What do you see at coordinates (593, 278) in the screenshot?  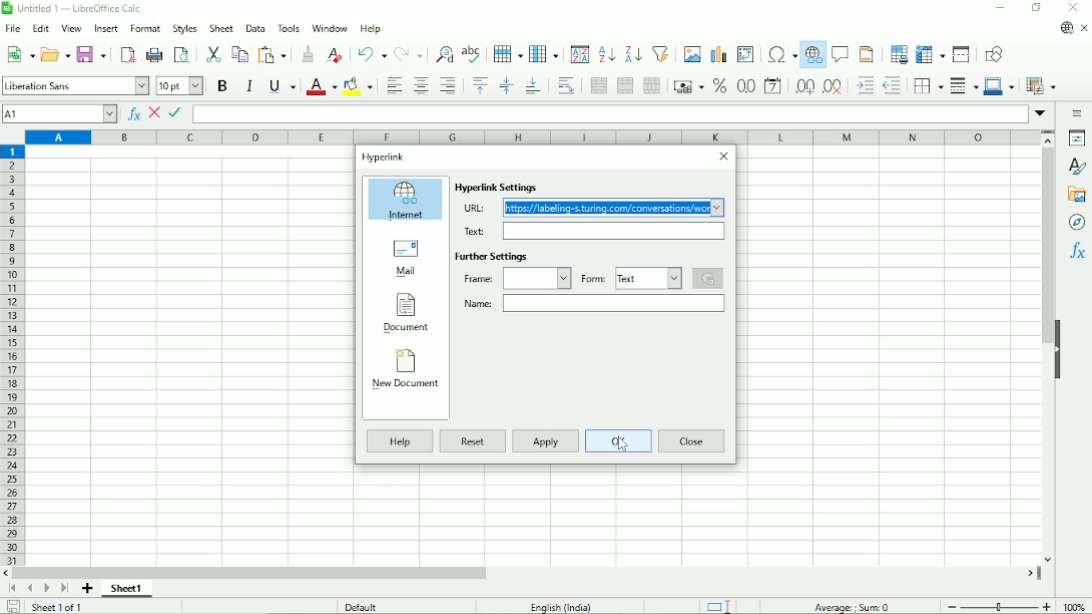 I see `From` at bounding box center [593, 278].